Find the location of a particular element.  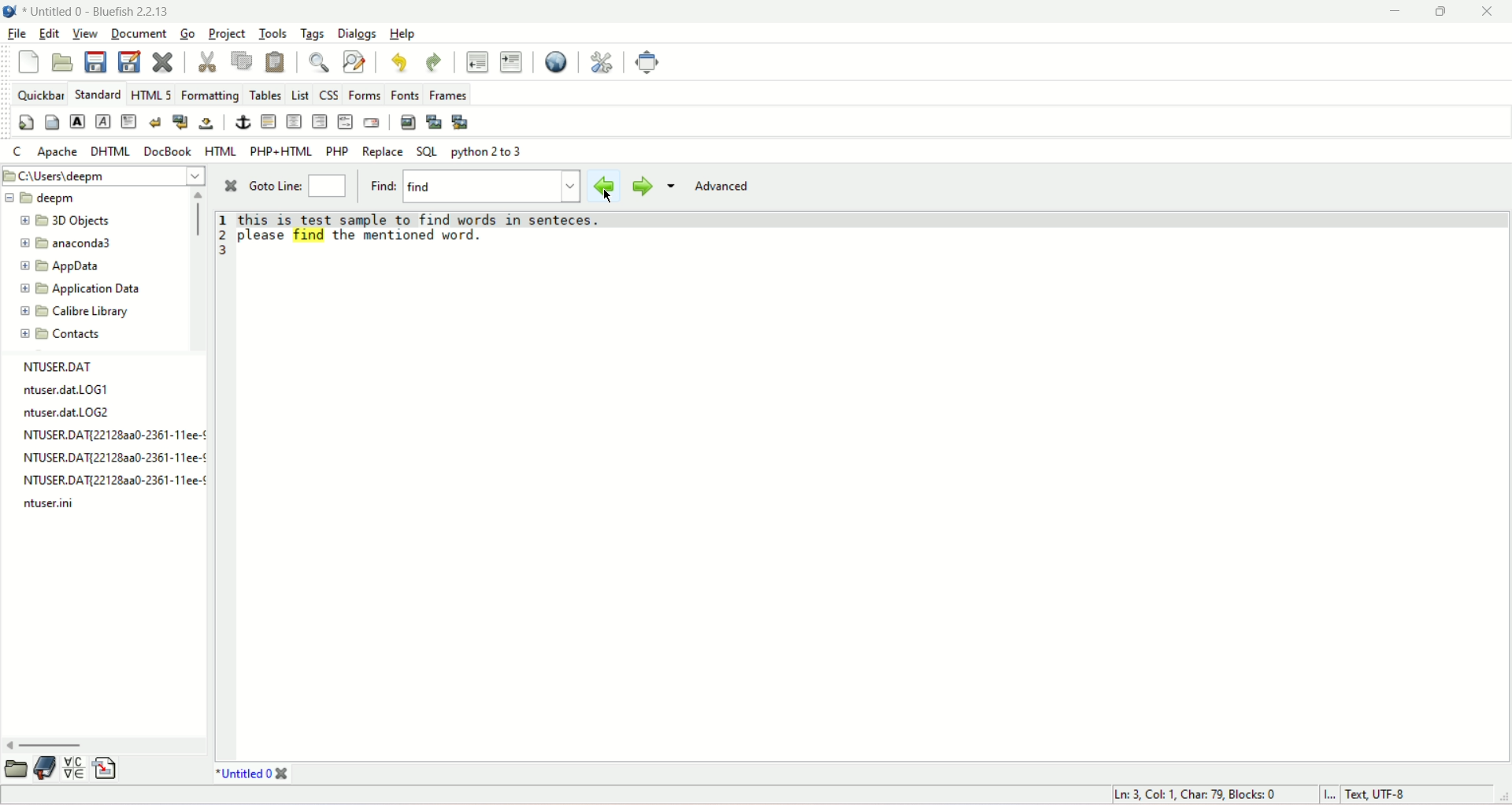

c:\users\deepm is located at coordinates (103, 175).